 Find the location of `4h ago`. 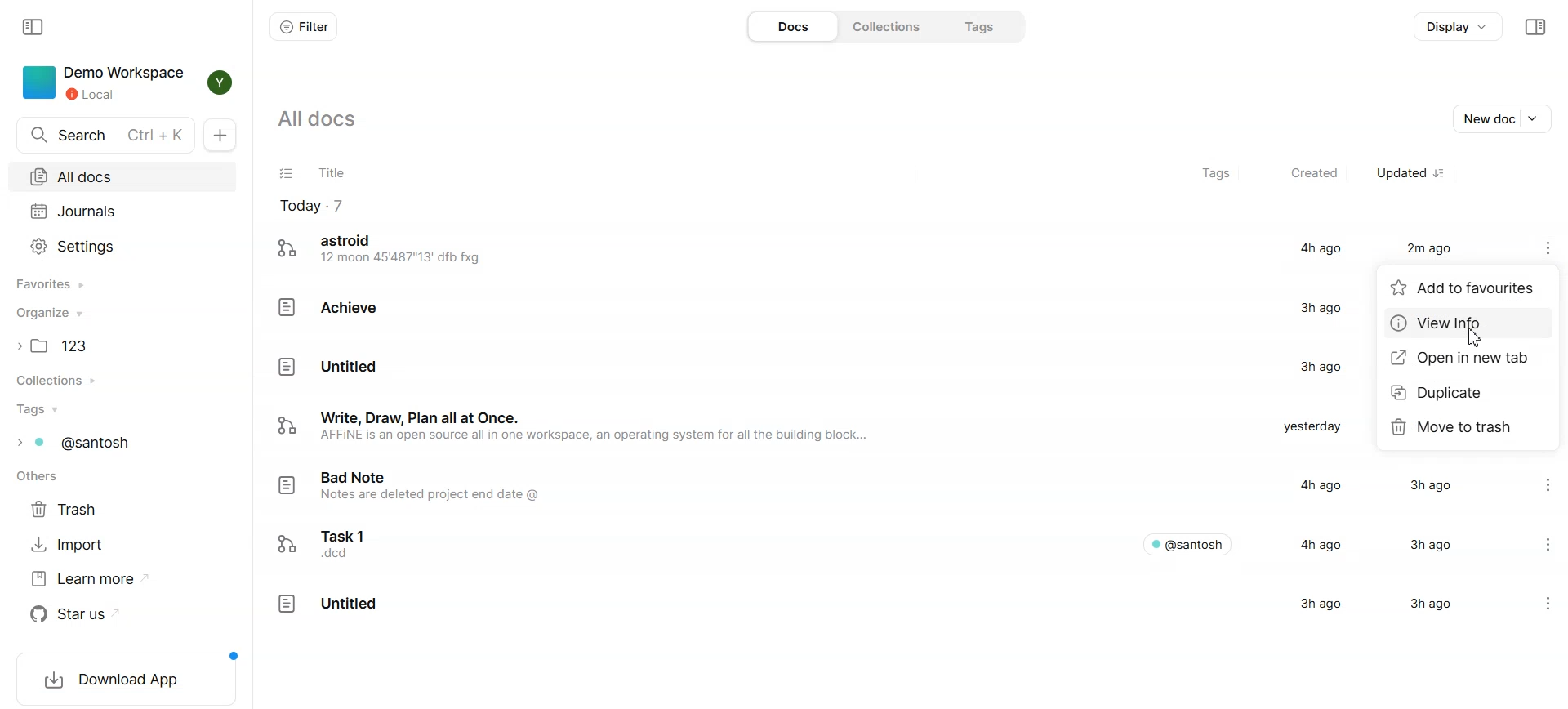

4h ago is located at coordinates (1315, 484).